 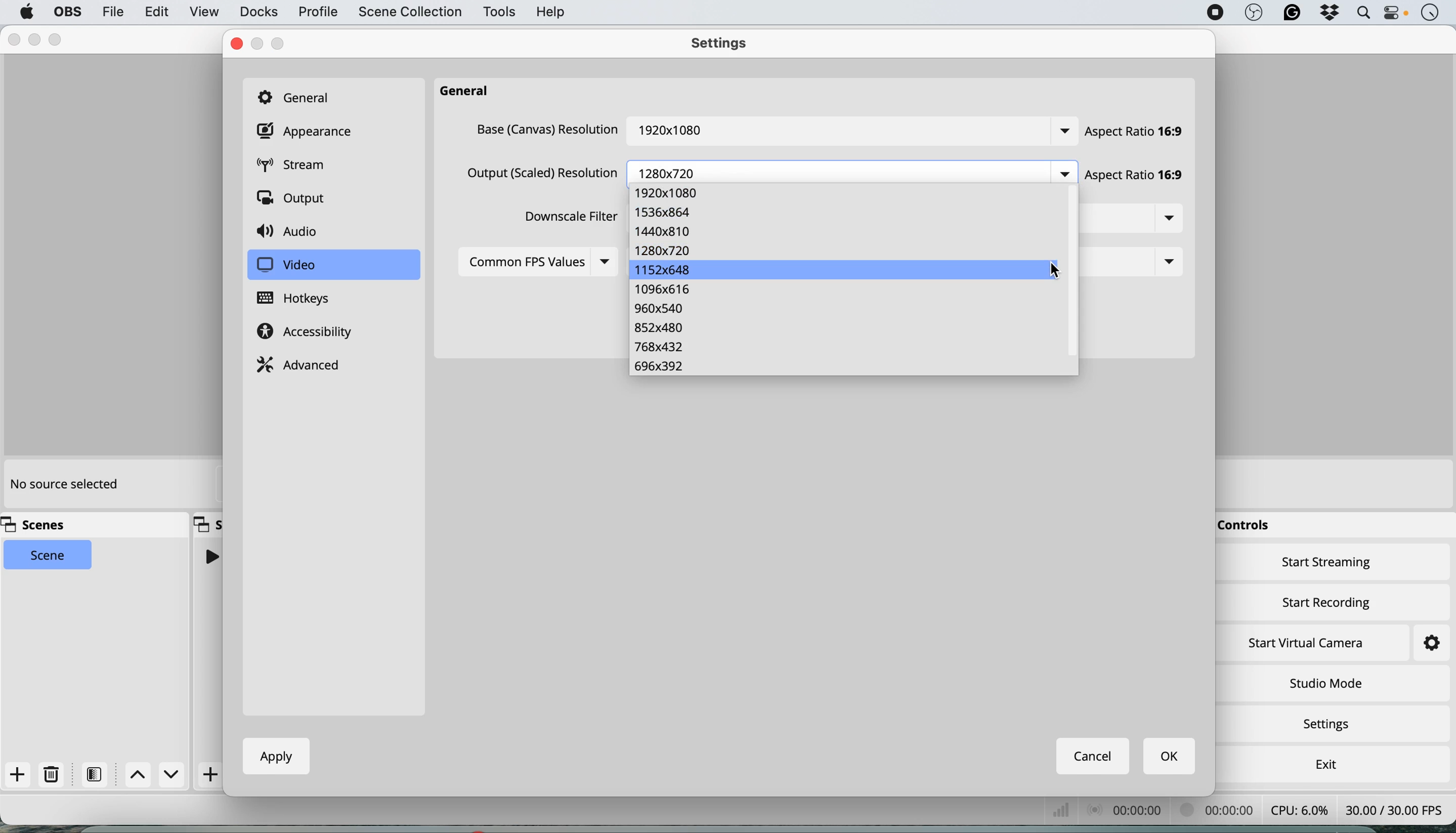 What do you see at coordinates (546, 130) in the screenshot?
I see `base canvas resolution` at bounding box center [546, 130].